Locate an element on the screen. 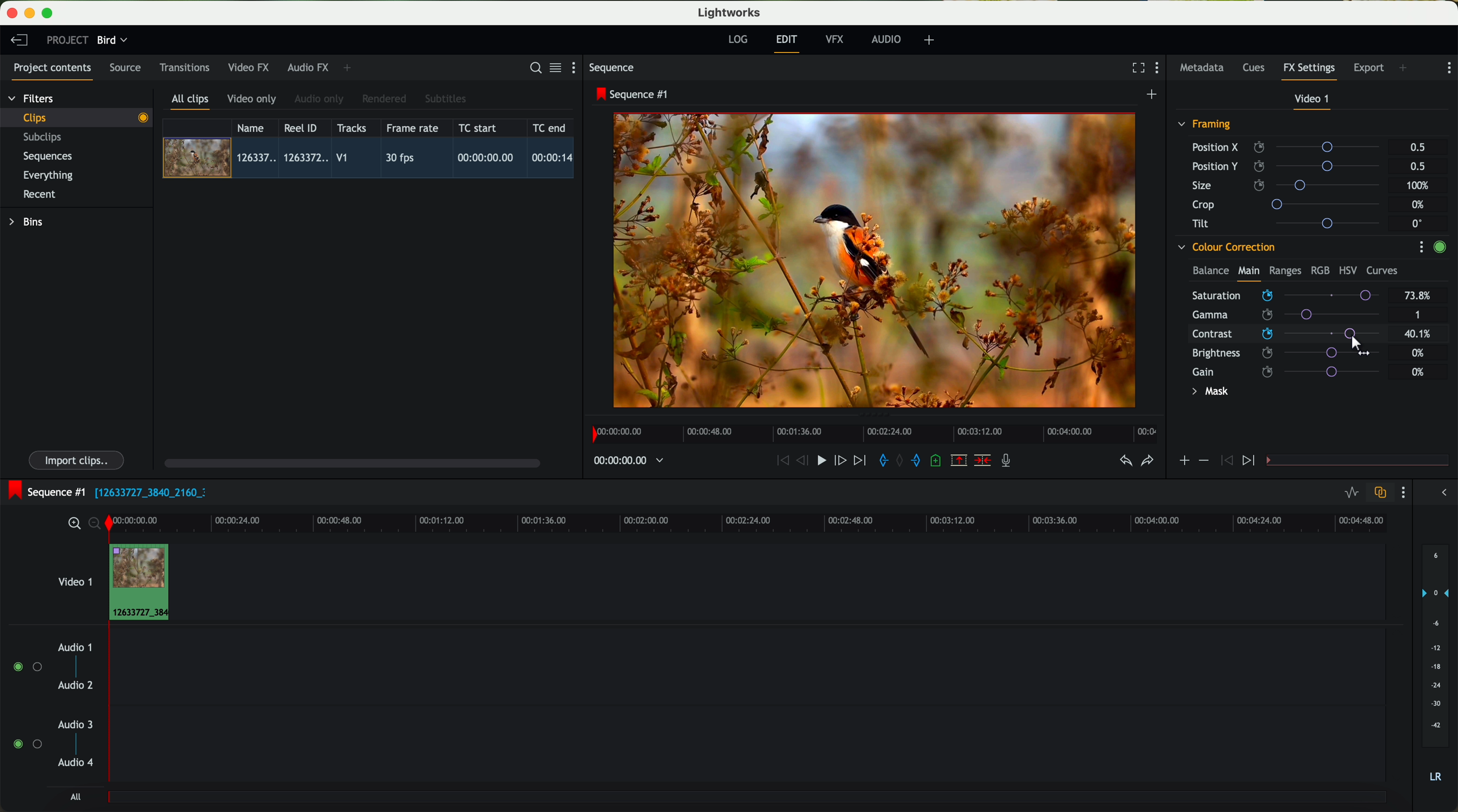  0° is located at coordinates (1418, 223).